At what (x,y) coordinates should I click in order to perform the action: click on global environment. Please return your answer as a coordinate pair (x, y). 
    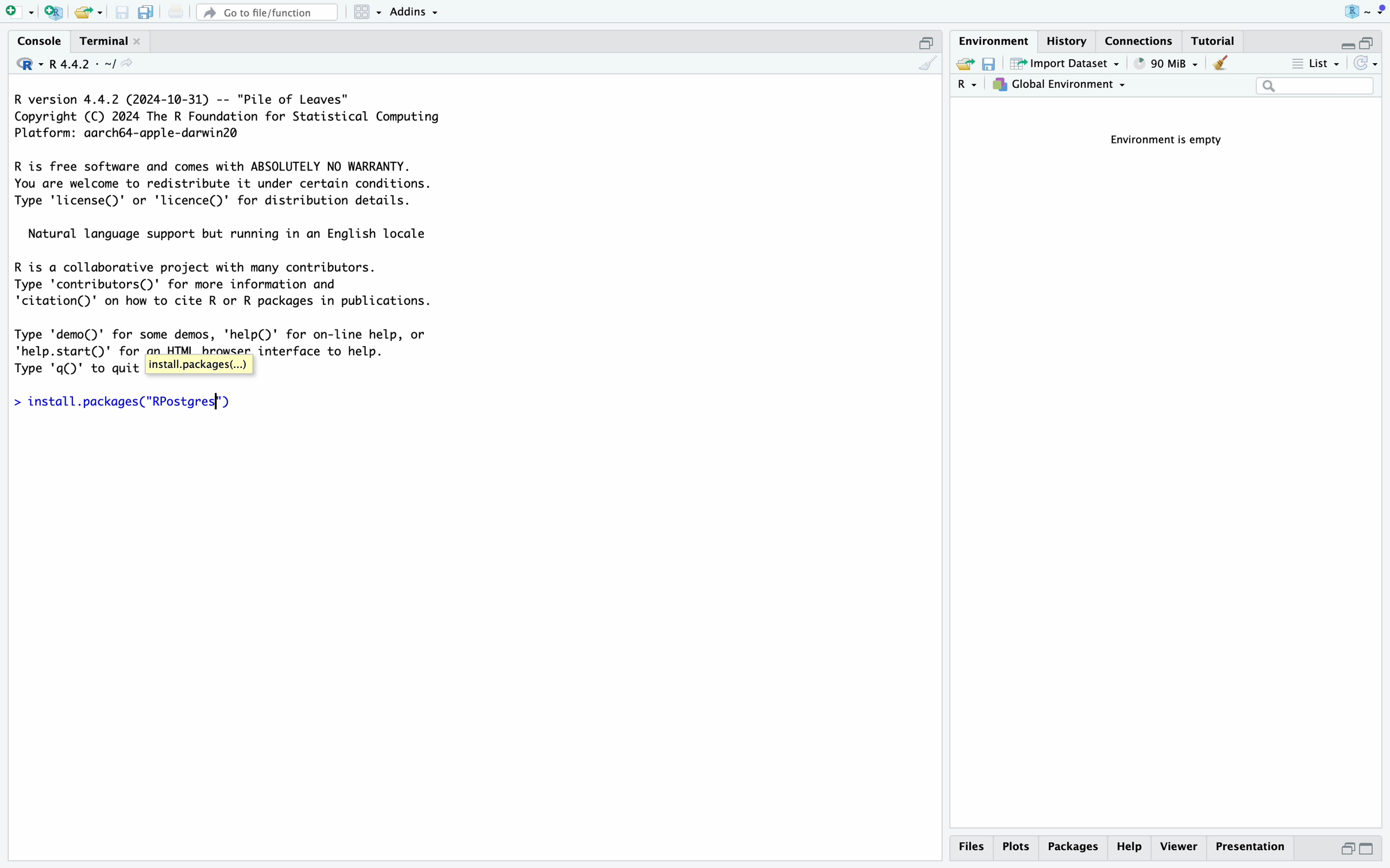
    Looking at the image, I should click on (1062, 87).